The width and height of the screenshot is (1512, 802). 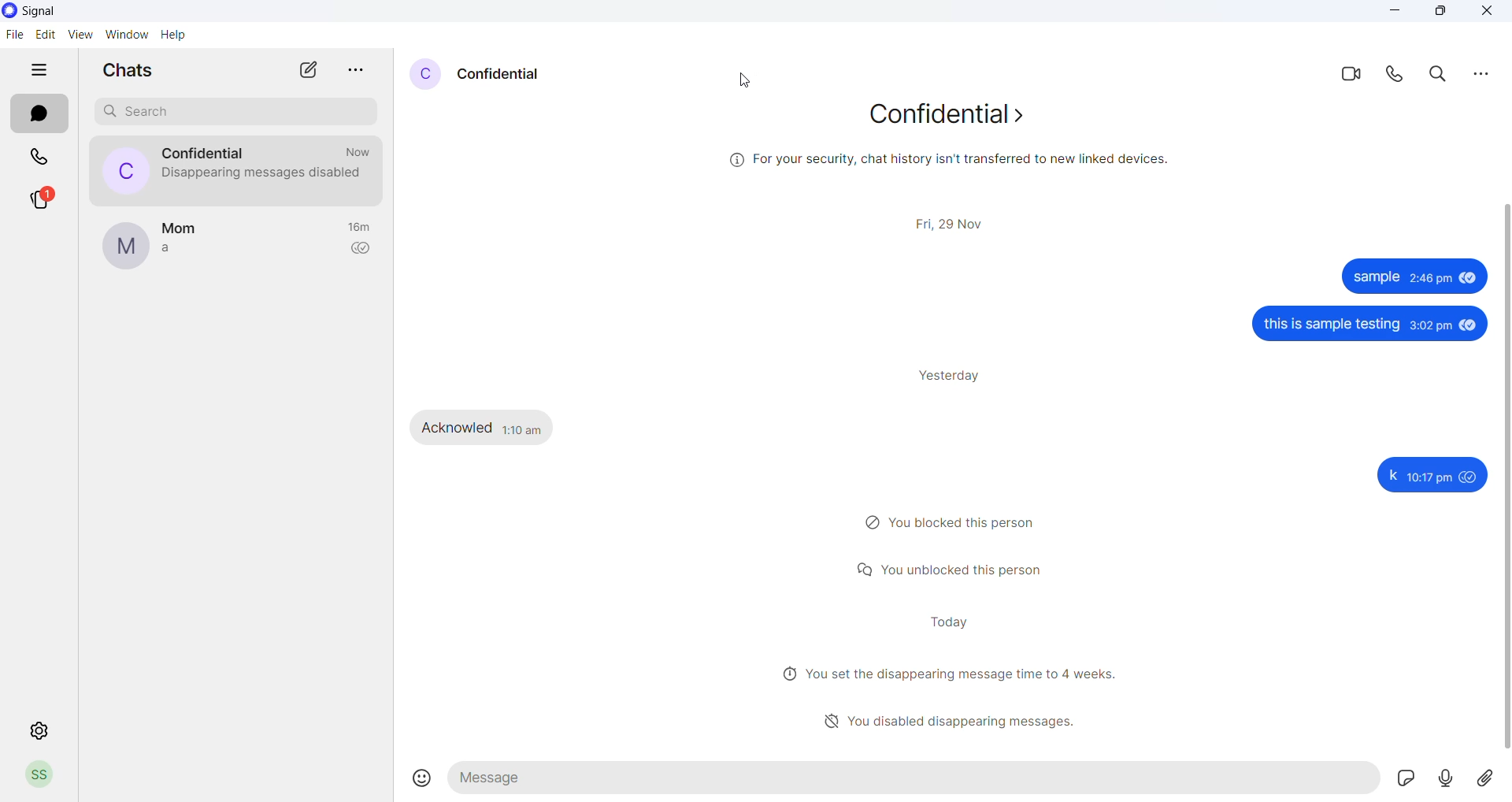 I want to click on read recipient, so click(x=363, y=251).